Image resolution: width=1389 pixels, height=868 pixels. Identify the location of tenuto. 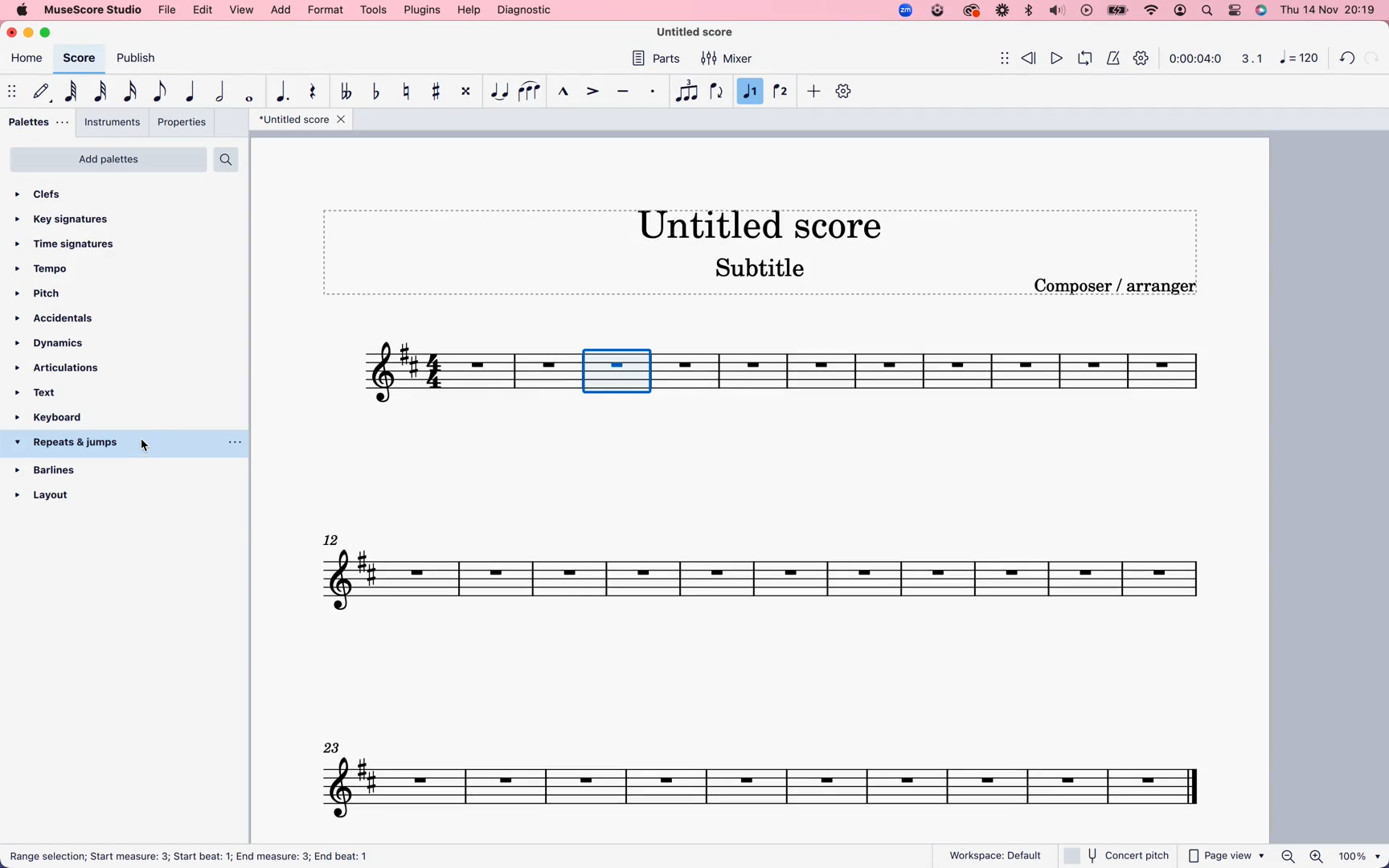
(626, 92).